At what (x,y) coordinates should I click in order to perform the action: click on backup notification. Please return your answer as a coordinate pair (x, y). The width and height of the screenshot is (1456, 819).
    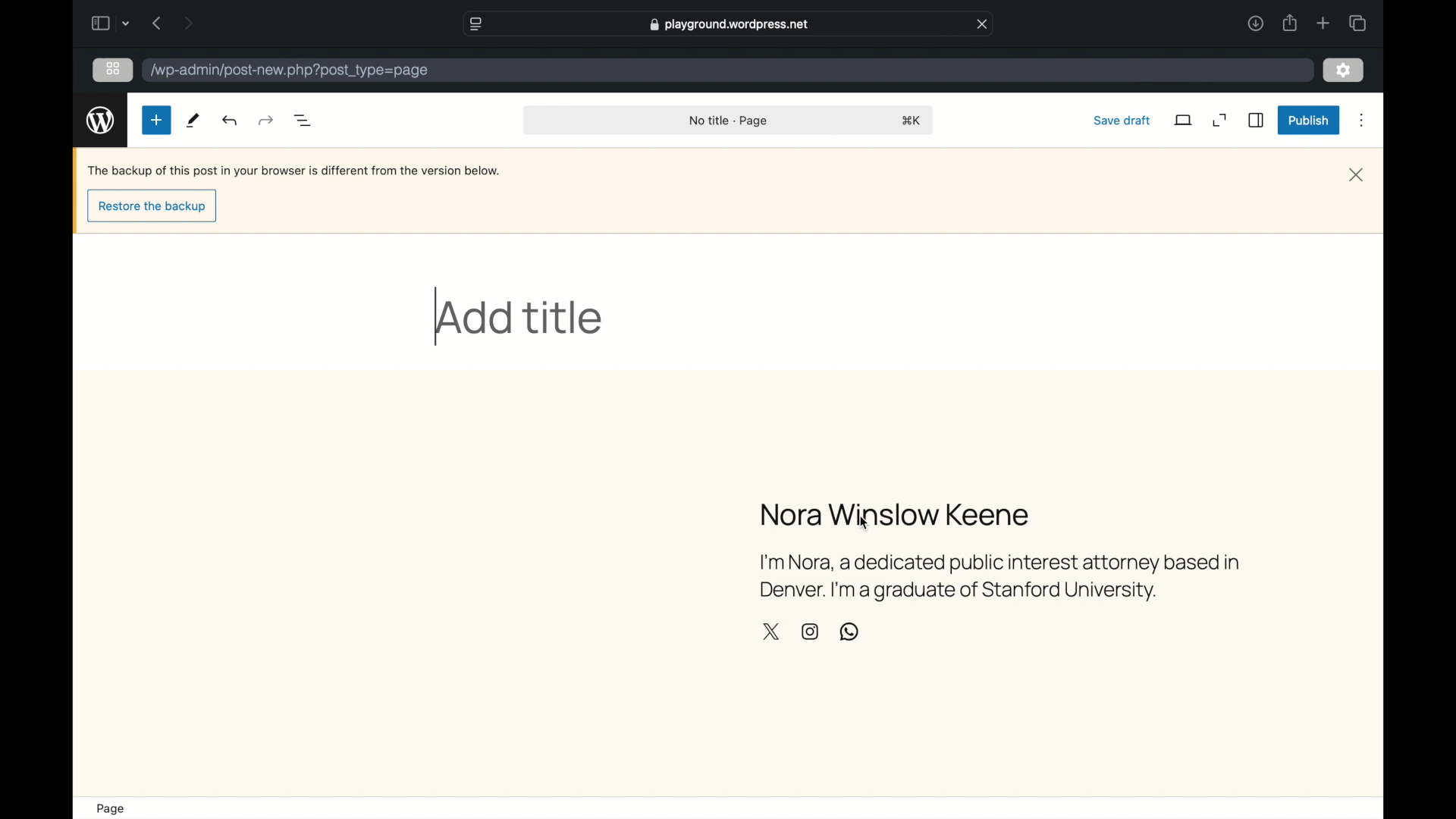
    Looking at the image, I should click on (293, 171).